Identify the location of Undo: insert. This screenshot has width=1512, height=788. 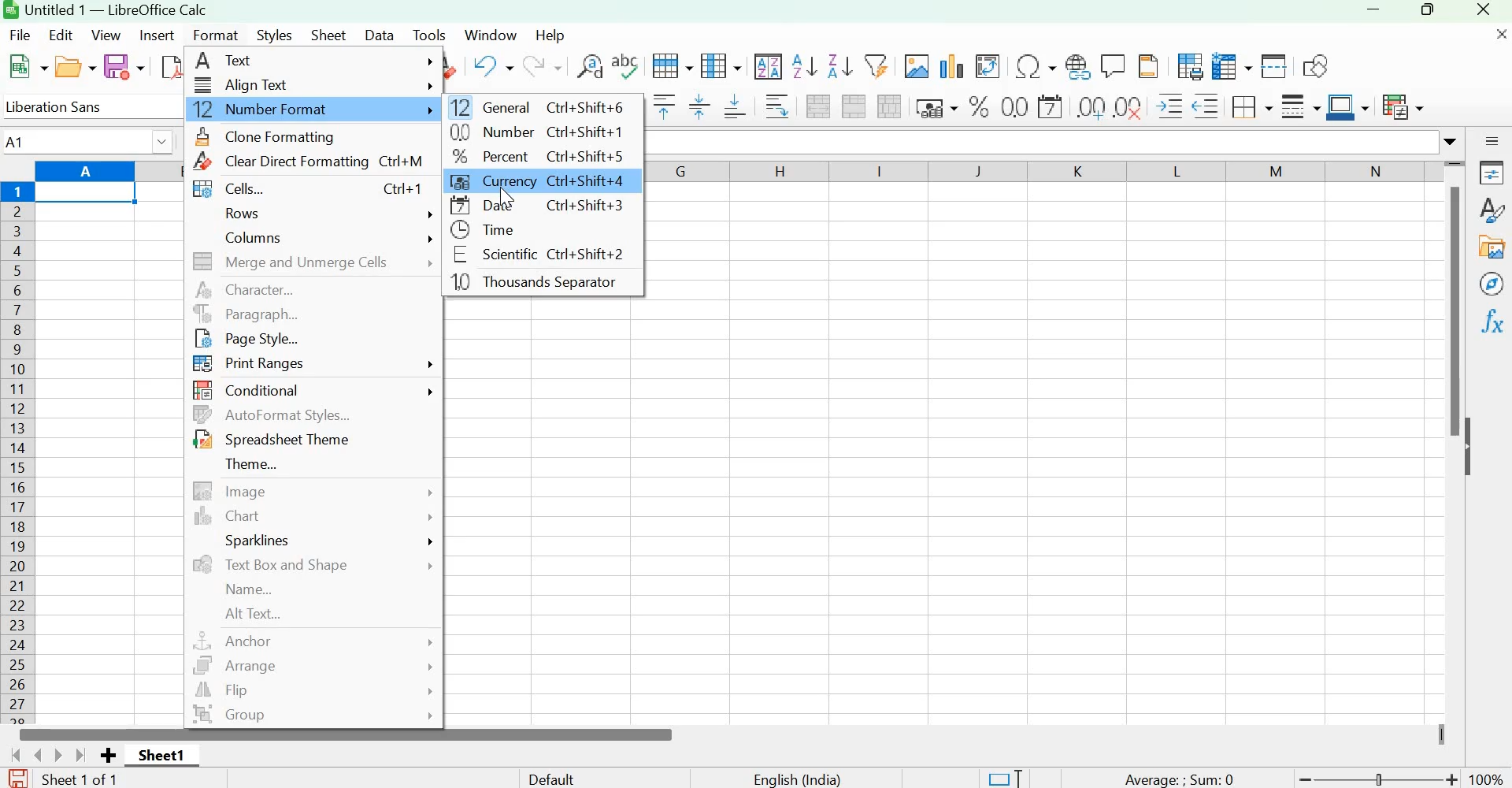
(490, 66).